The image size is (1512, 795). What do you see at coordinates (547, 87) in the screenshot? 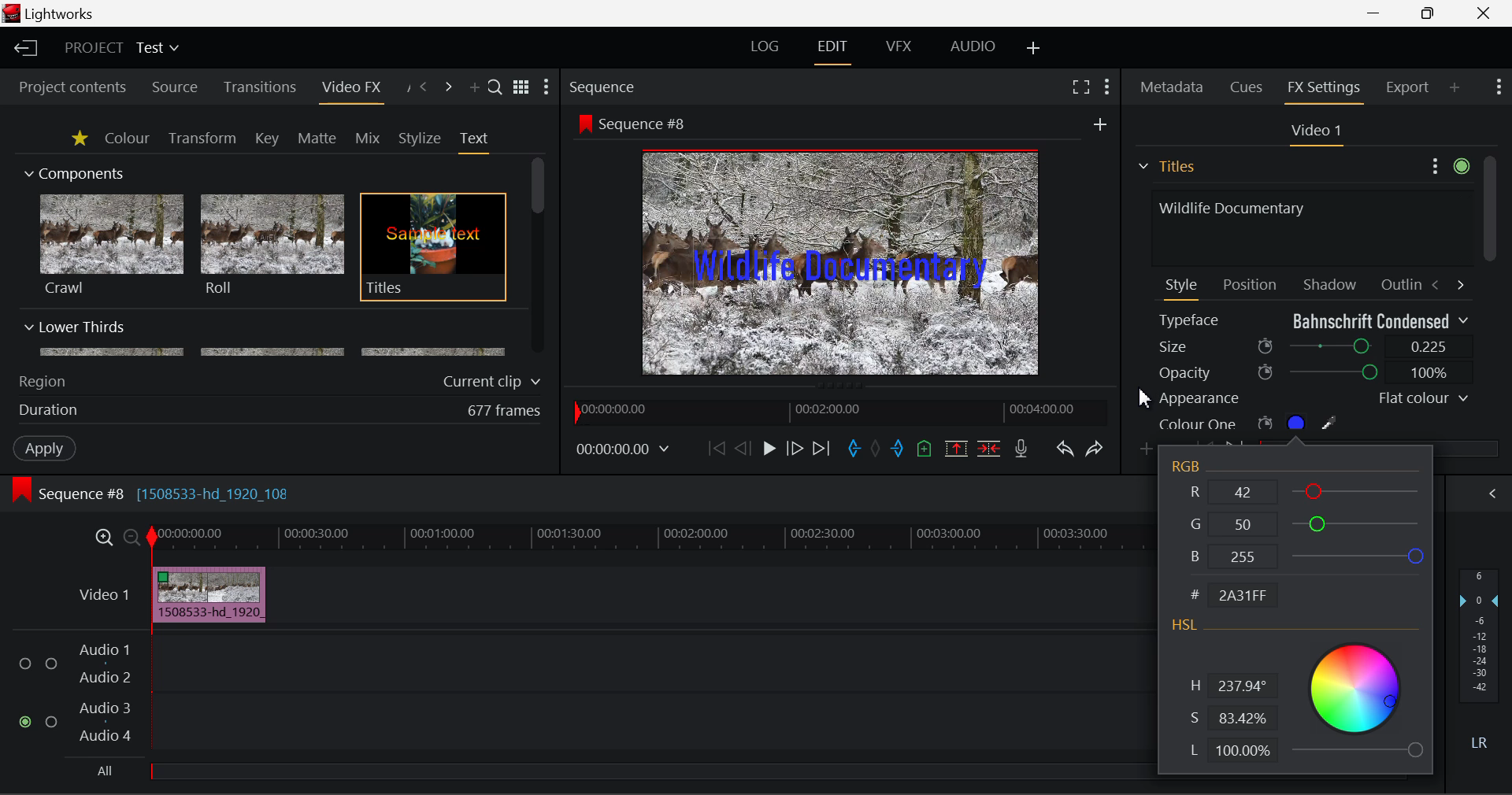
I see `Show Settings` at bounding box center [547, 87].